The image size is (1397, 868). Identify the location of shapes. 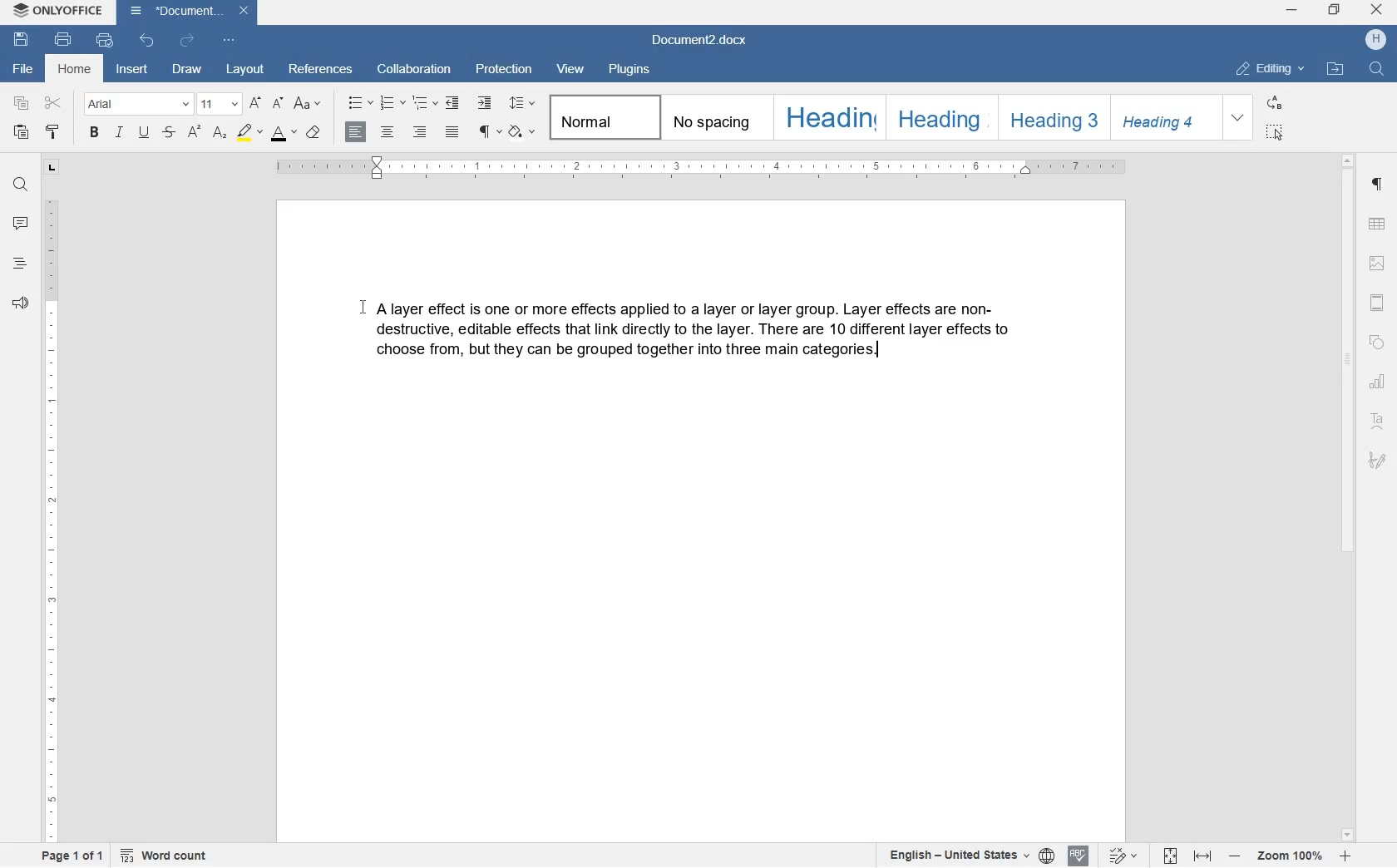
(1377, 340).